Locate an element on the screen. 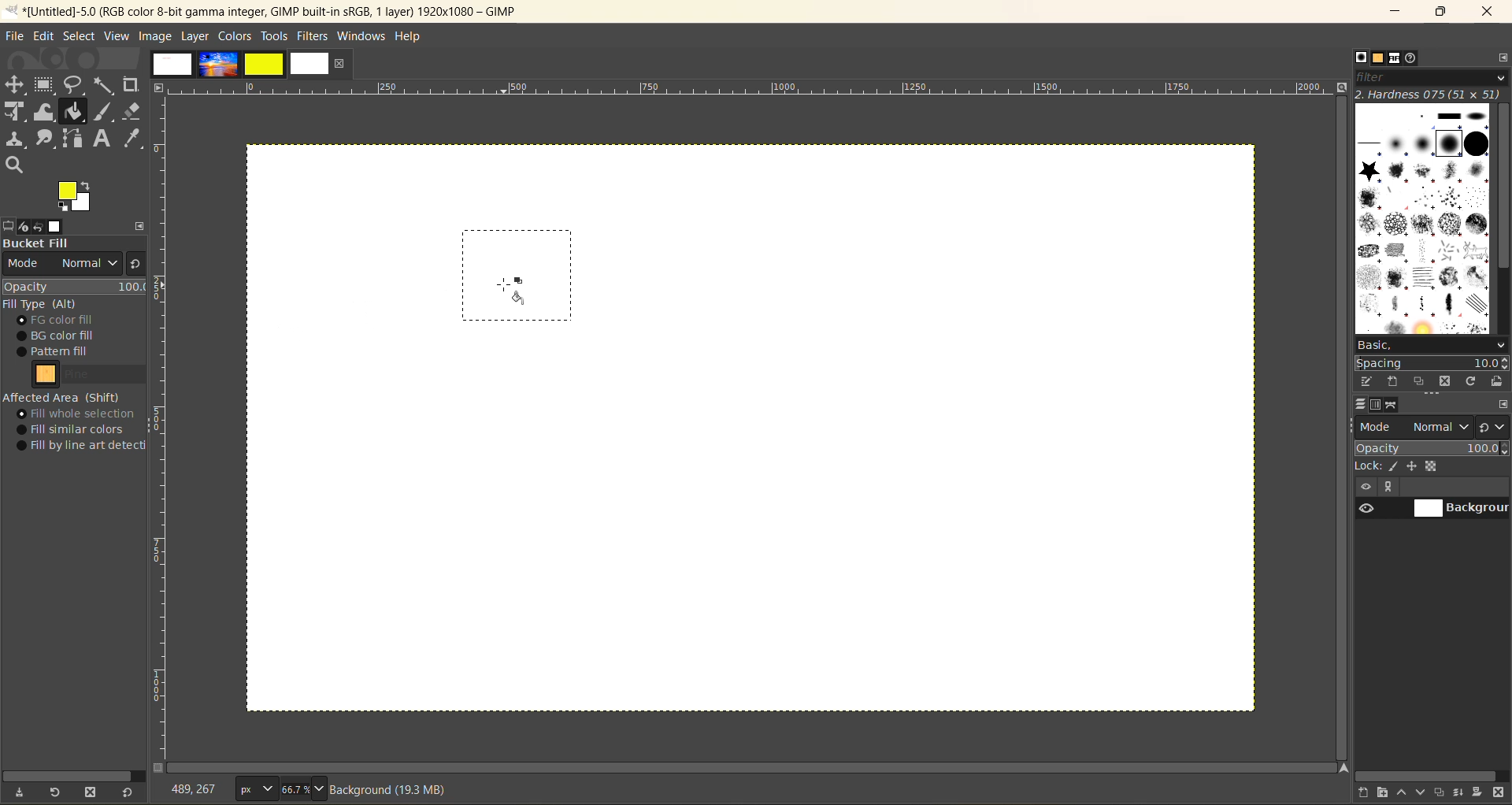 This screenshot has height=805, width=1512. fg color is located at coordinates (80, 321).